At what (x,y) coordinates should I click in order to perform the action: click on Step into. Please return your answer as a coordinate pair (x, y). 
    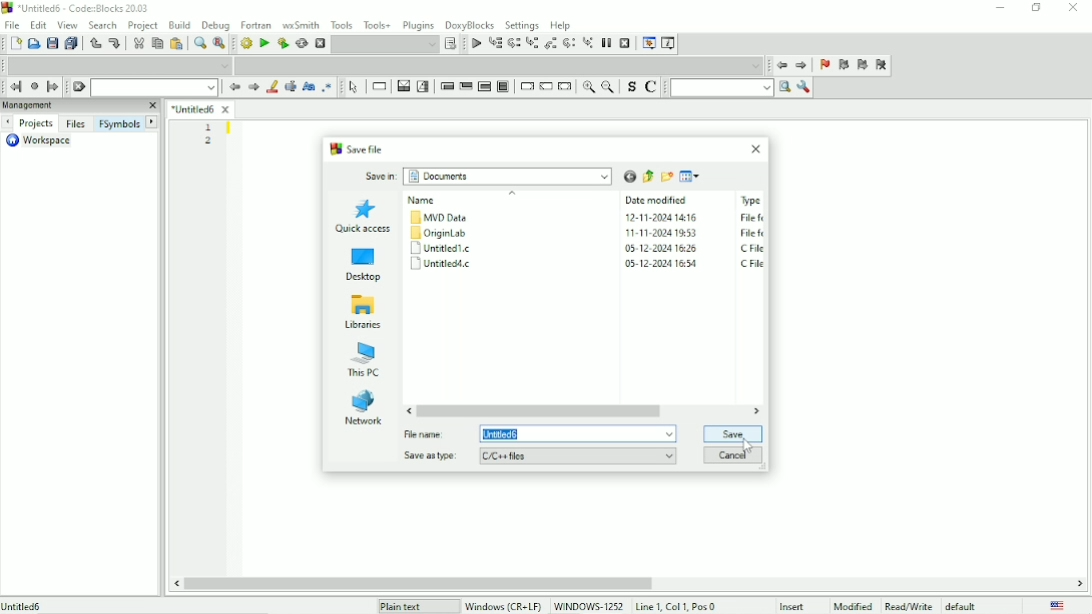
    Looking at the image, I should click on (532, 44).